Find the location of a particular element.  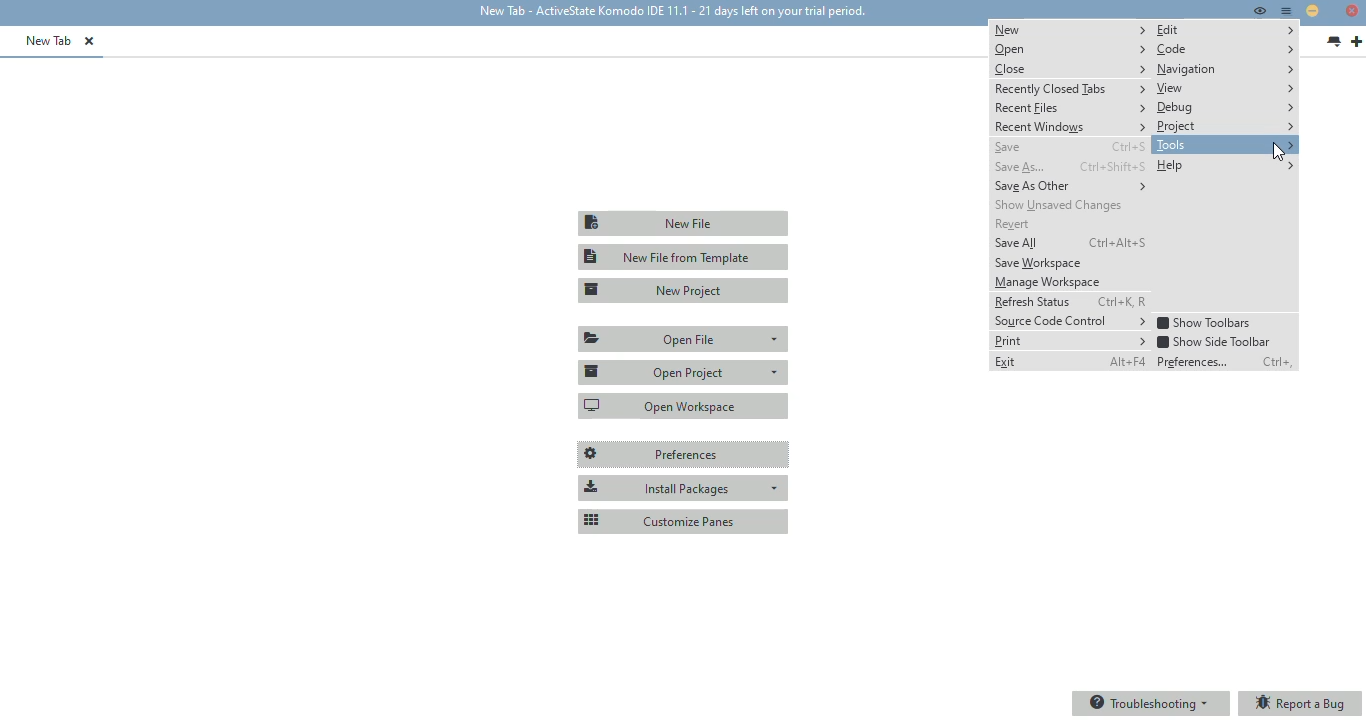

new tab is located at coordinates (1356, 42).